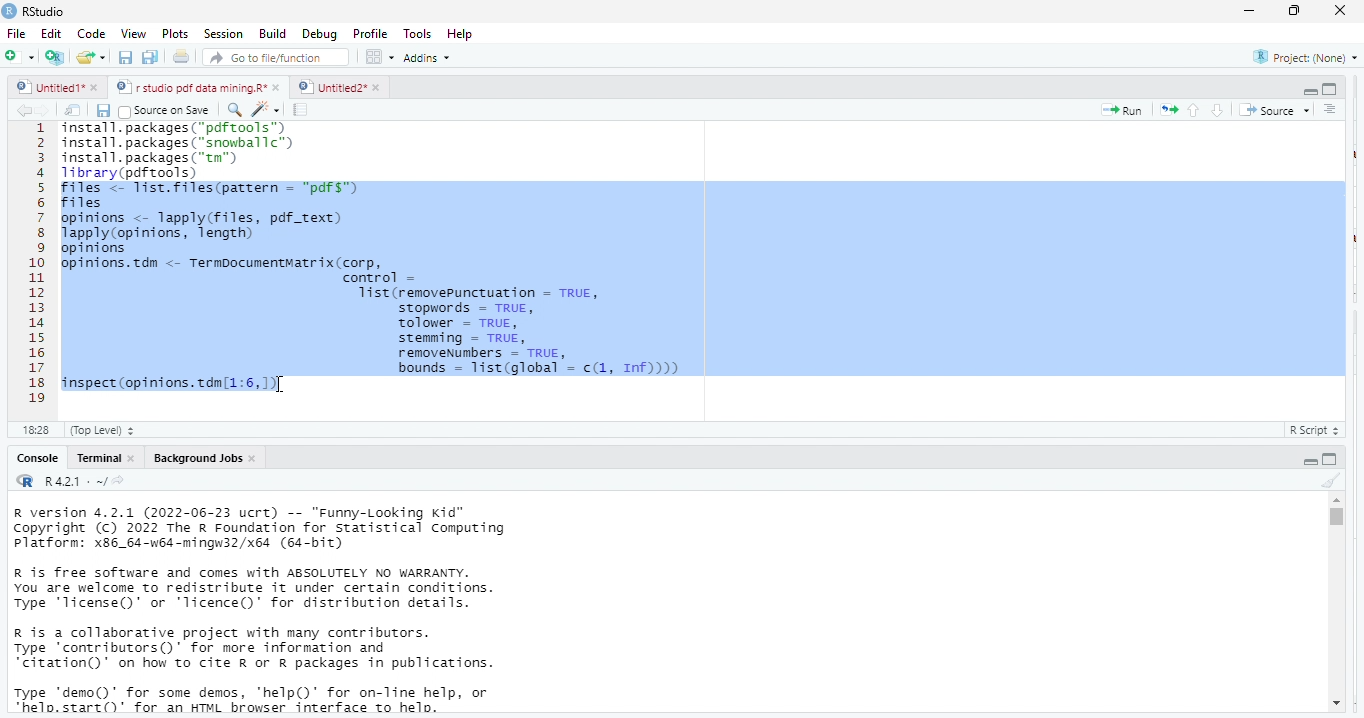 This screenshot has width=1364, height=718. I want to click on save current document, so click(126, 58).